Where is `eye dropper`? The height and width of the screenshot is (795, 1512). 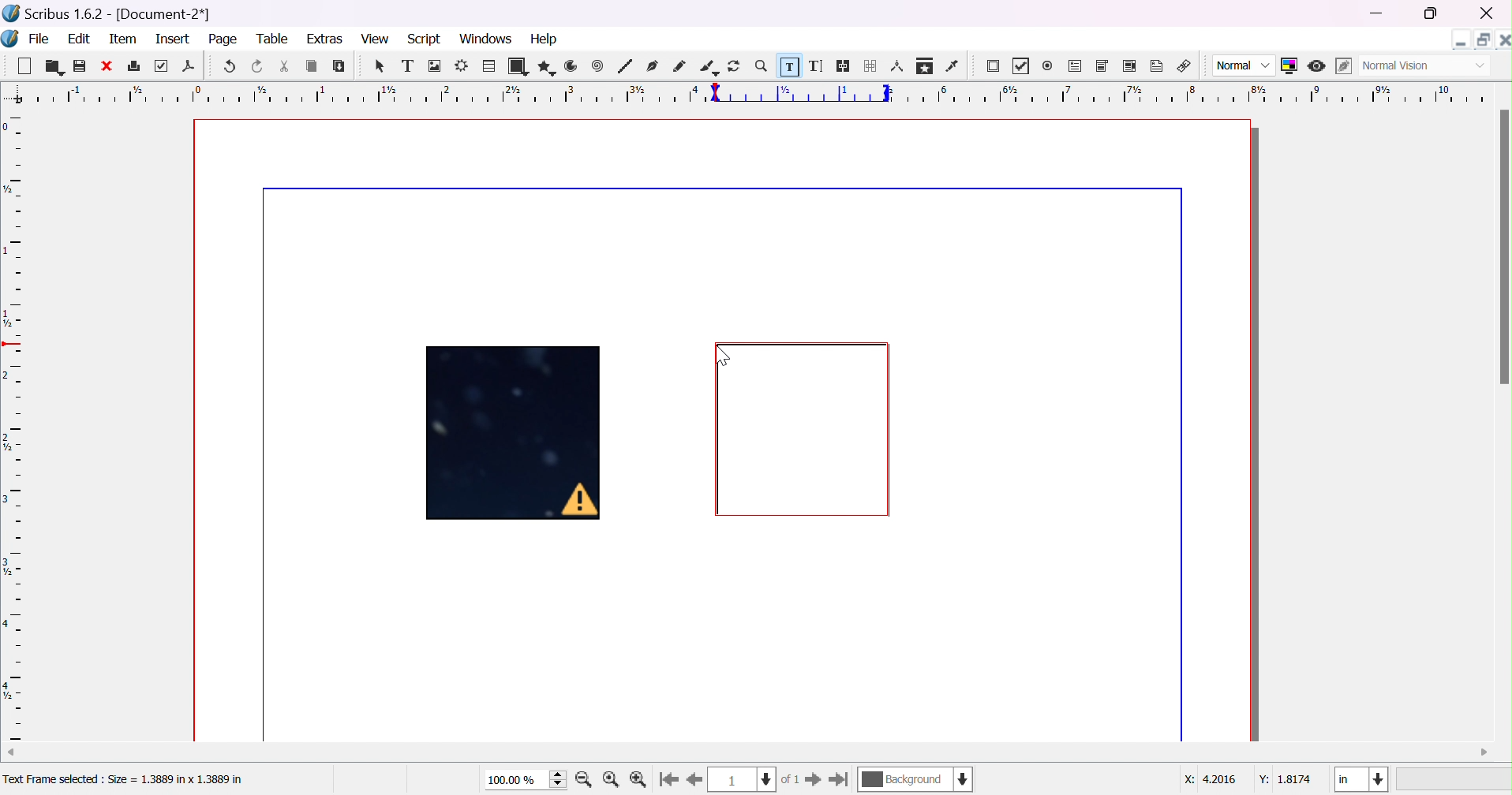 eye dropper is located at coordinates (955, 66).